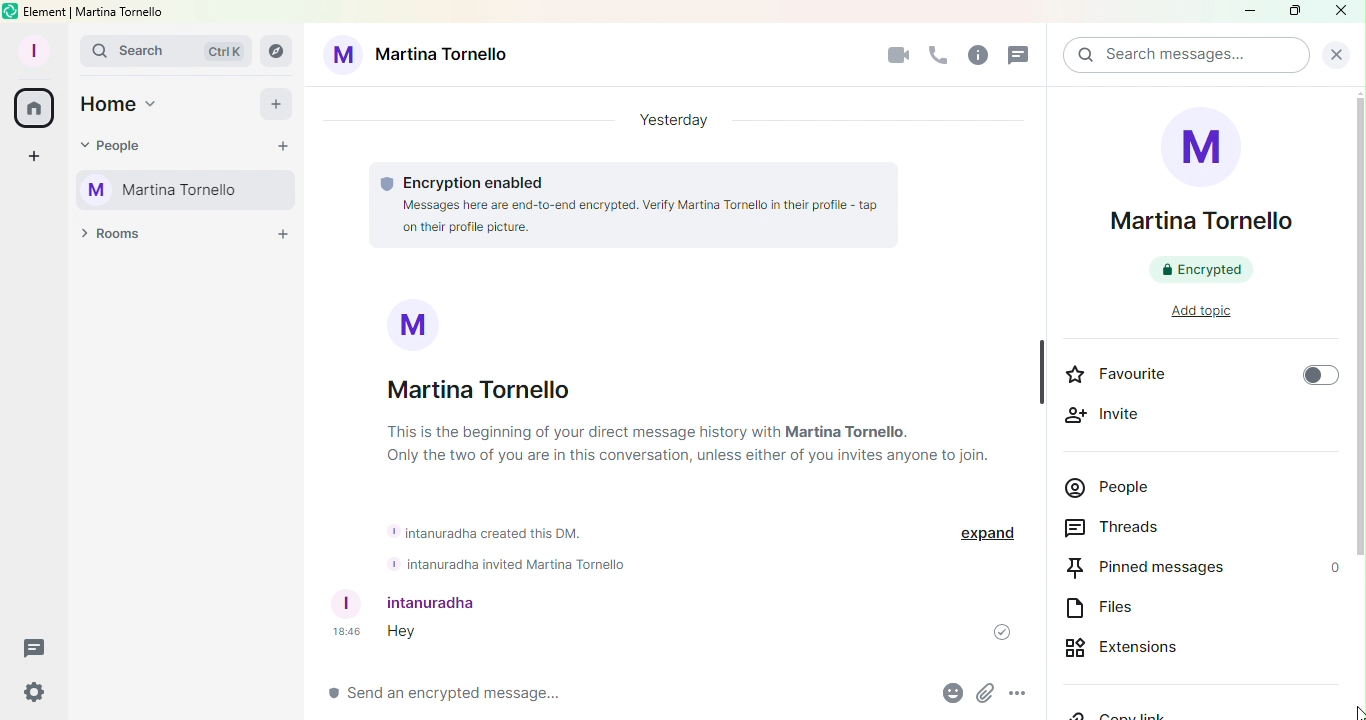  I want to click on intanuranda created this Dm, so click(492, 528).